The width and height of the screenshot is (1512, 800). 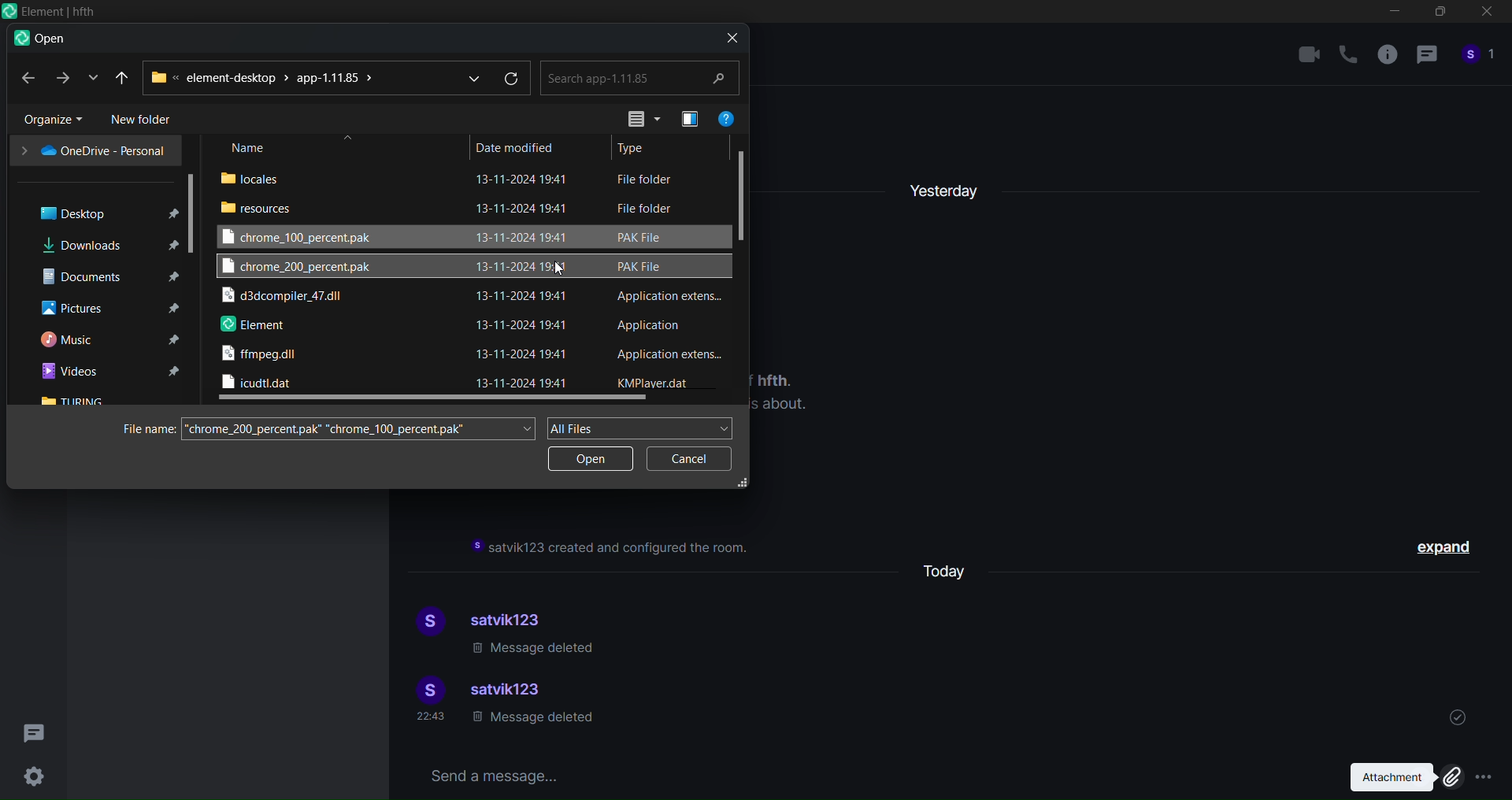 What do you see at coordinates (637, 148) in the screenshot?
I see `type` at bounding box center [637, 148].